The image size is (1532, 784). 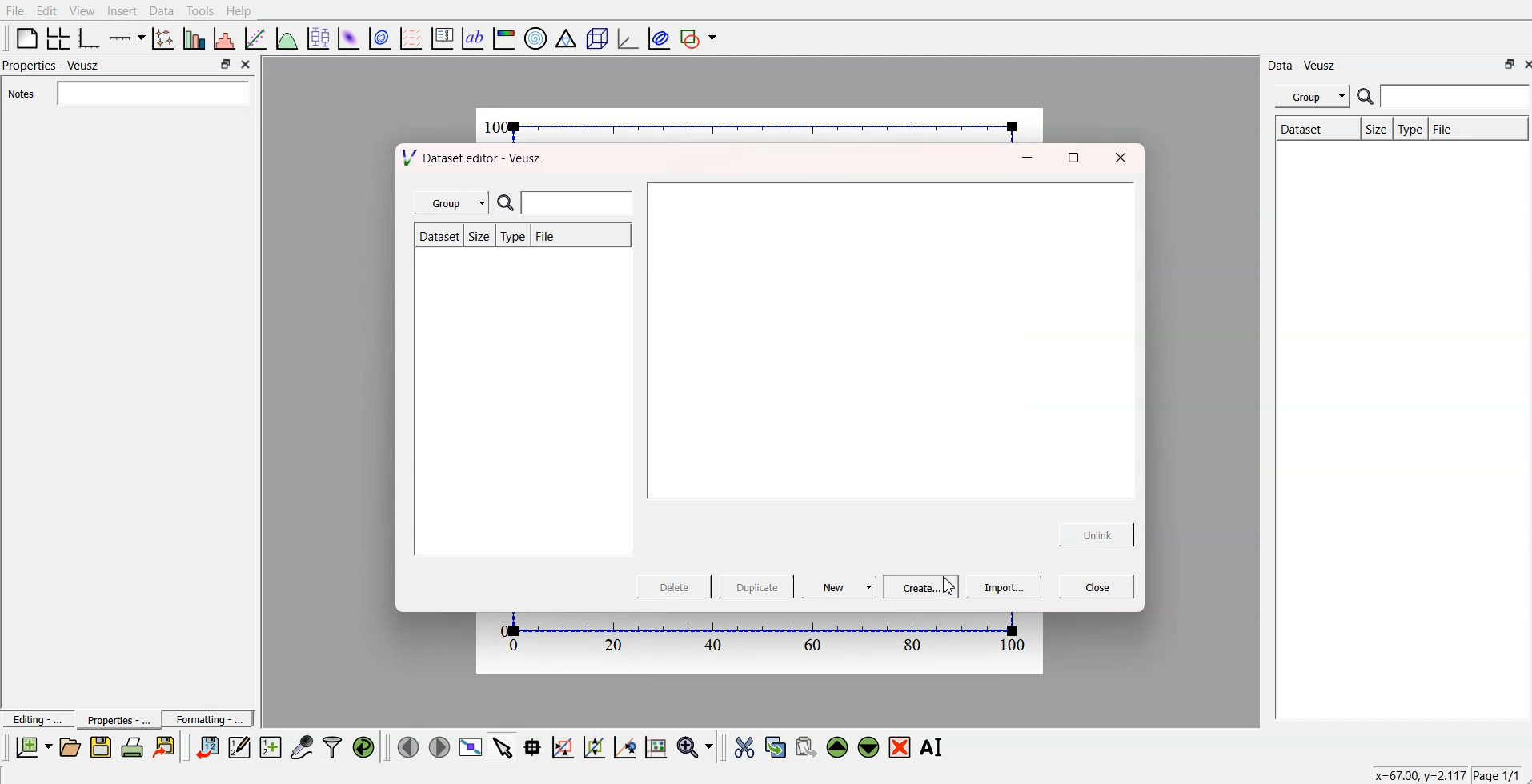 What do you see at coordinates (366, 746) in the screenshot?
I see `reload linked datasets` at bounding box center [366, 746].